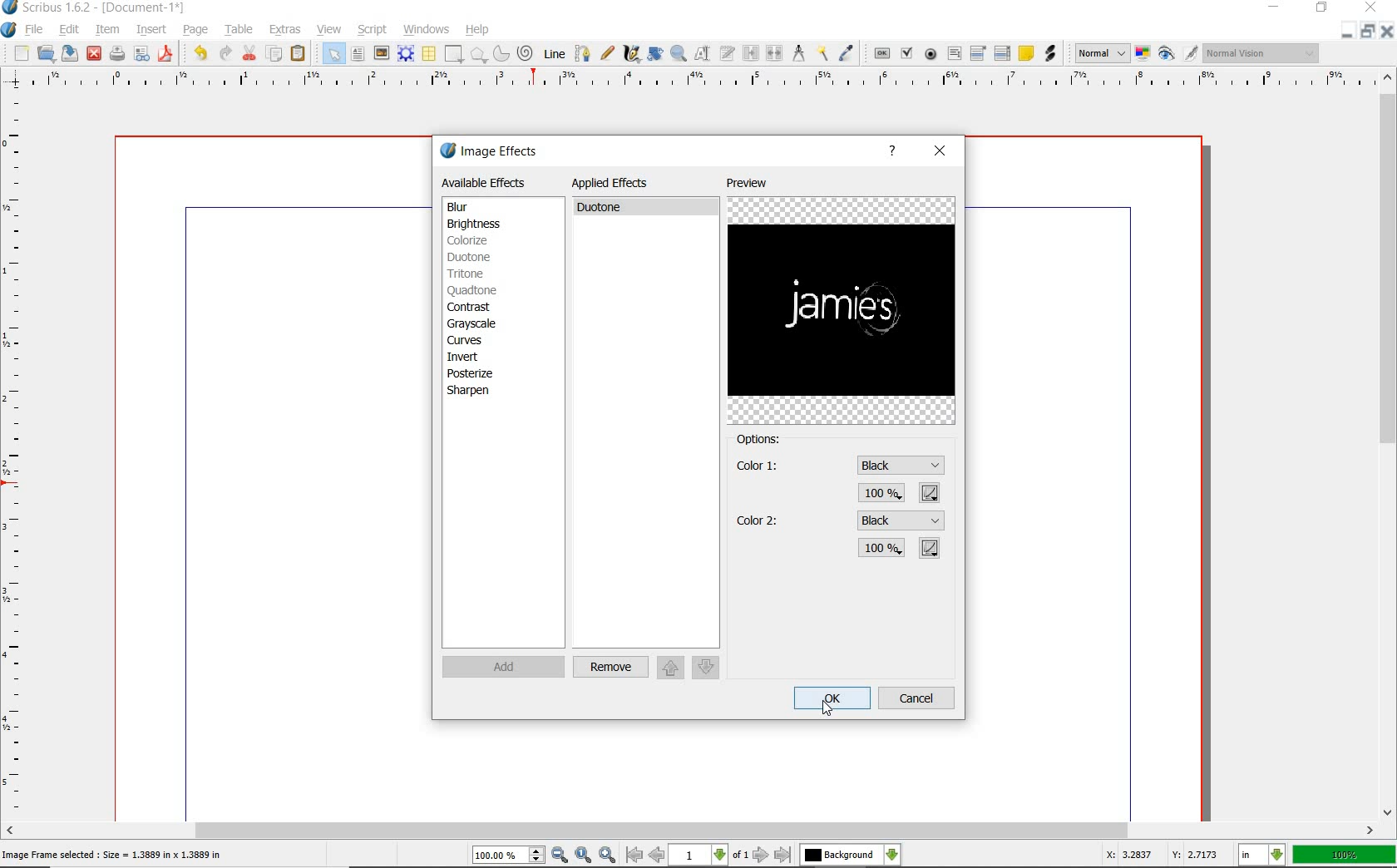 This screenshot has height=868, width=1397. I want to click on duotone, so click(640, 209).